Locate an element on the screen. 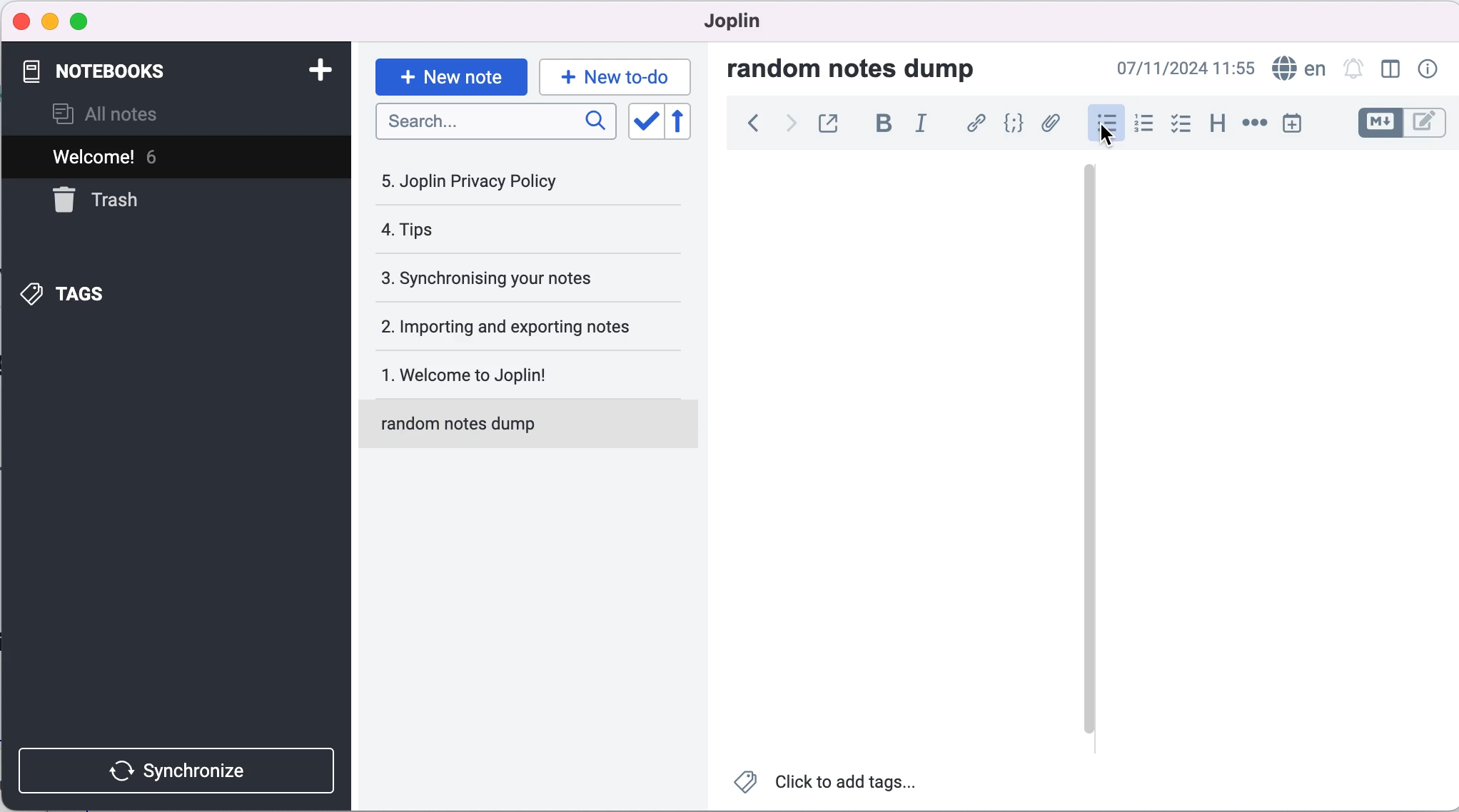  note properties is located at coordinates (1426, 70).